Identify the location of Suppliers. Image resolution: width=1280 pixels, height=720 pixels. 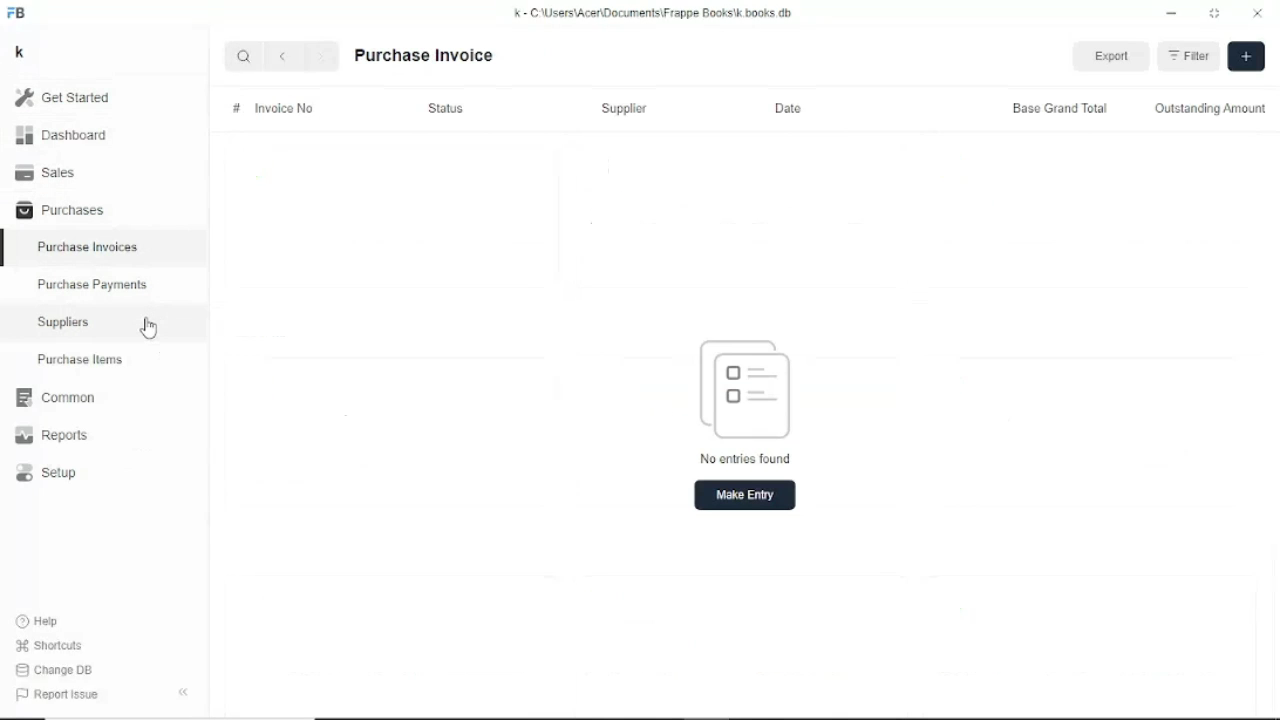
(64, 322).